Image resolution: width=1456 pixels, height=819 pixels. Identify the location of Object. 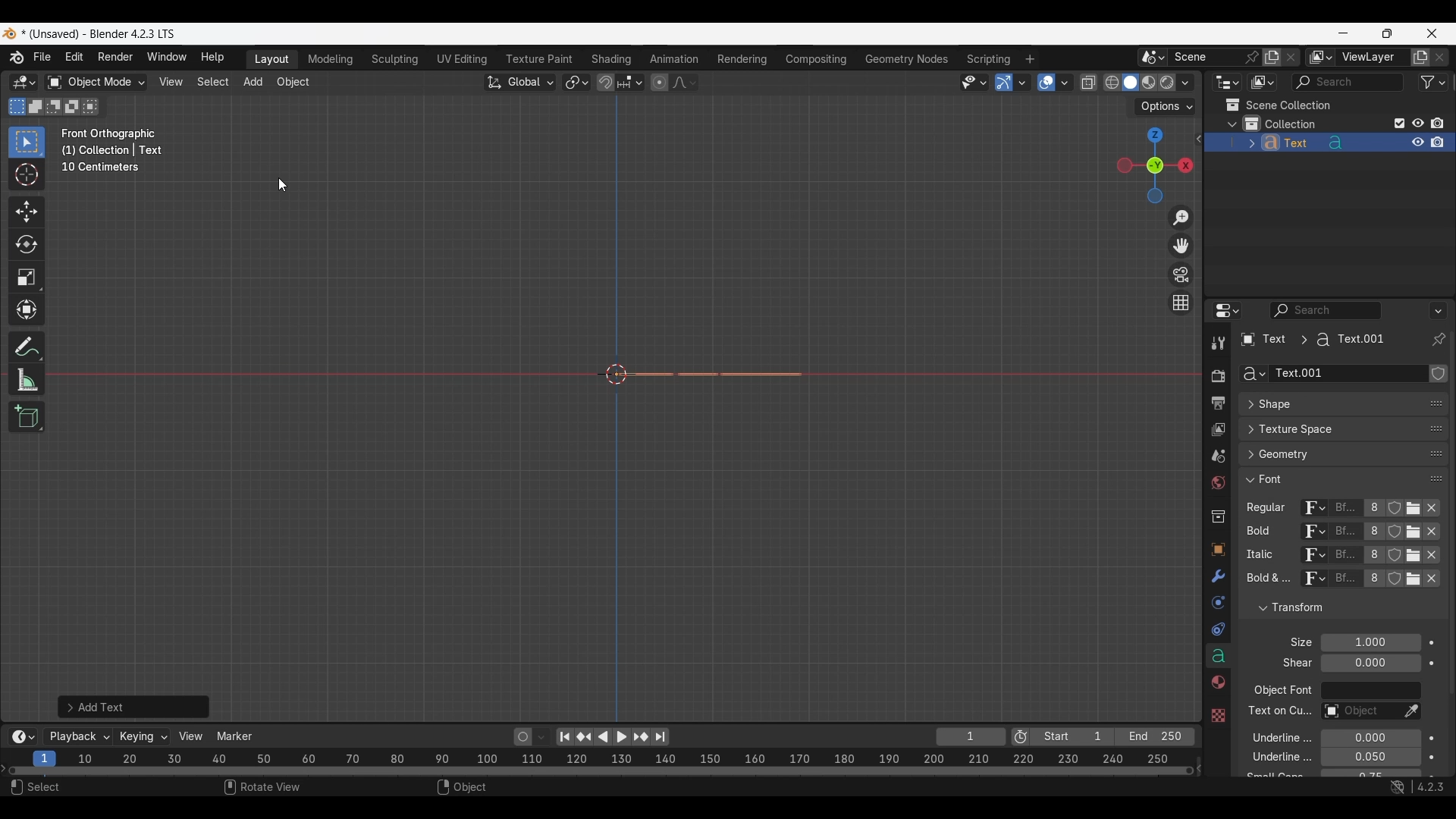
(1217, 550).